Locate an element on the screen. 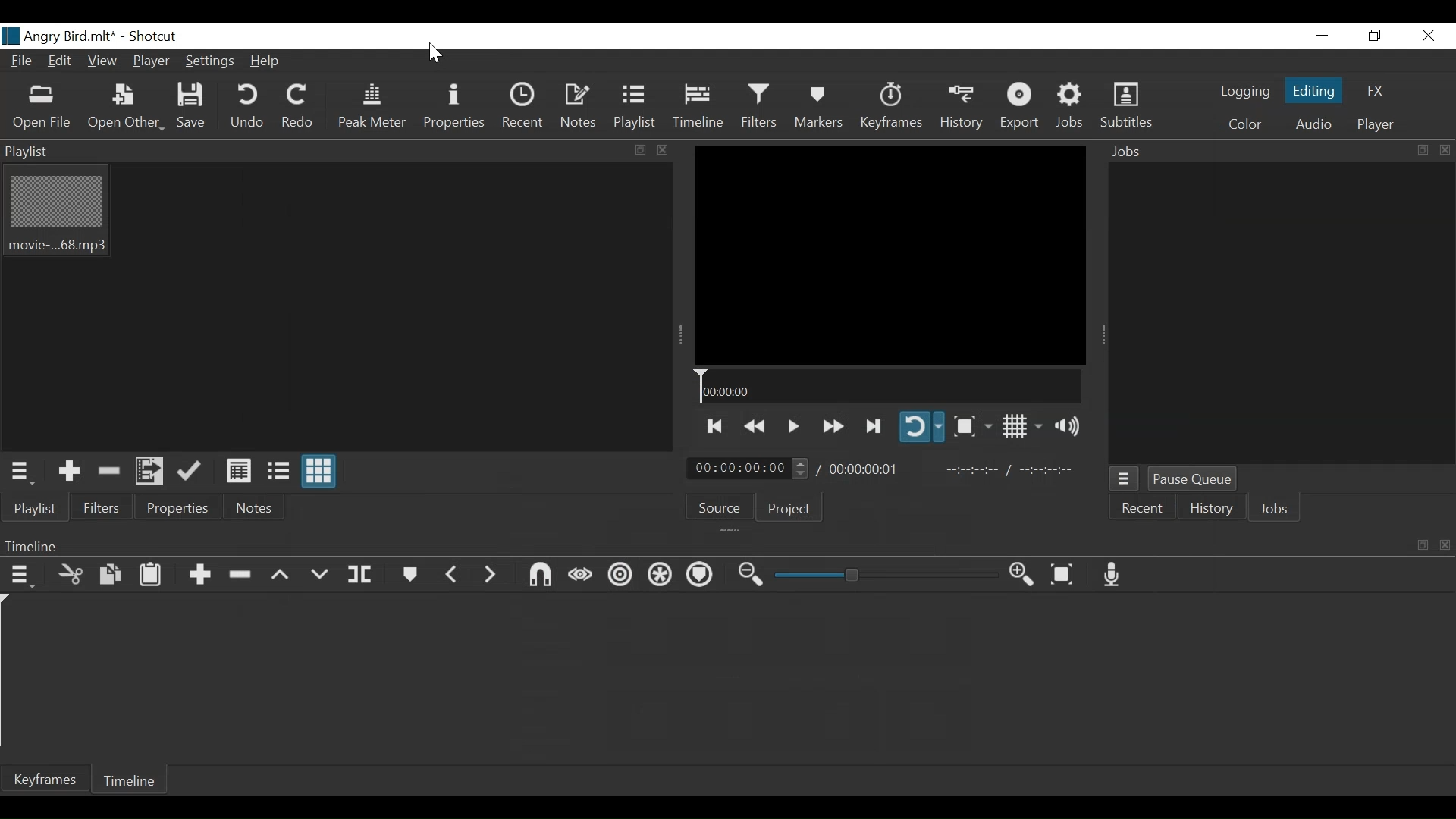 The height and width of the screenshot is (819, 1456). View as Details is located at coordinates (239, 472).